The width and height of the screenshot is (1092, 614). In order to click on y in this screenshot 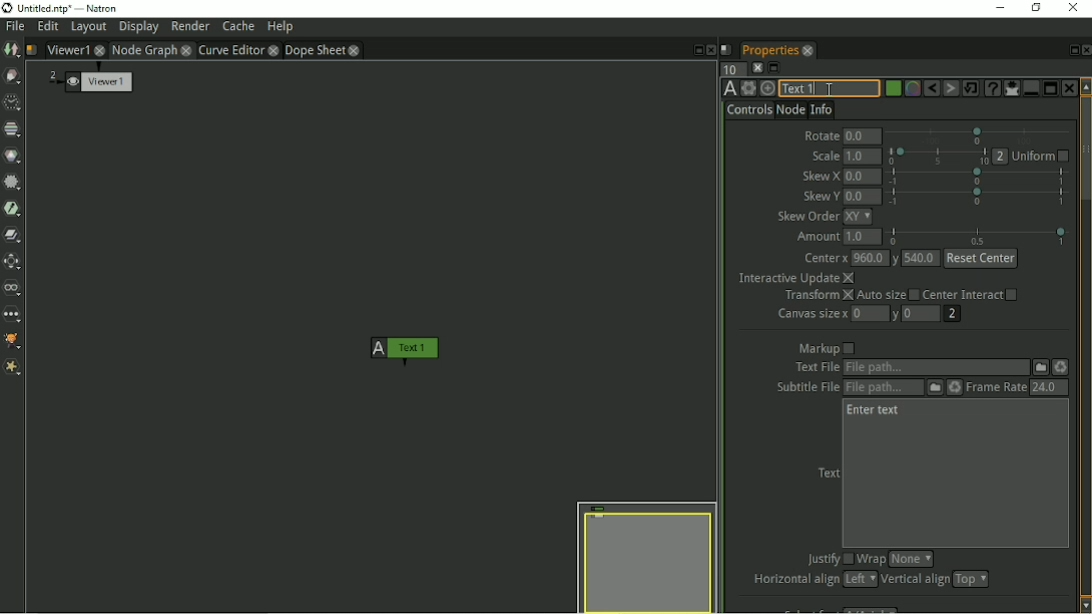, I will do `click(899, 257)`.